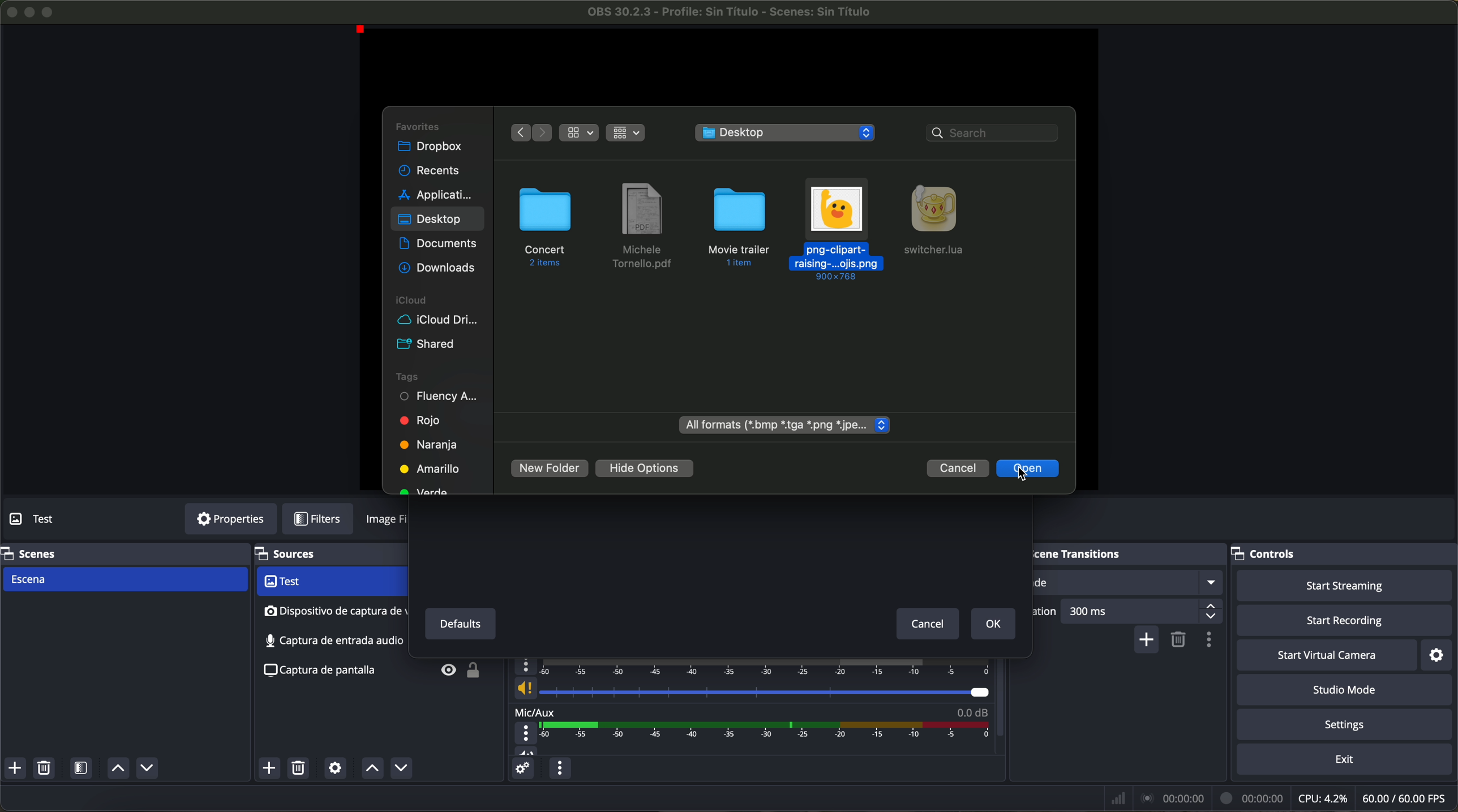 This screenshot has height=812, width=1458. What do you see at coordinates (641, 227) in the screenshot?
I see `file` at bounding box center [641, 227].